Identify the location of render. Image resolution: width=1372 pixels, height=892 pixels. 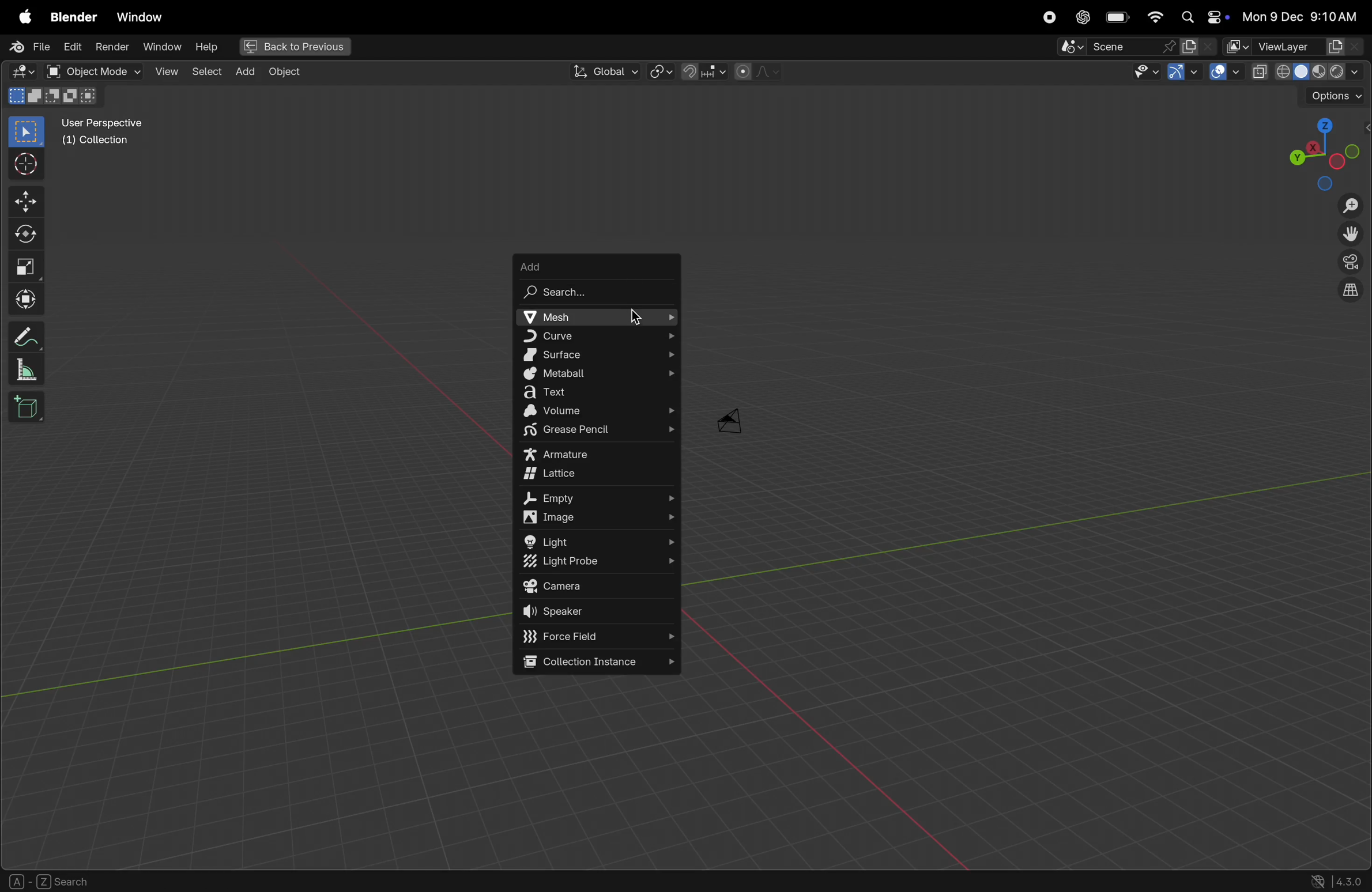
(112, 47).